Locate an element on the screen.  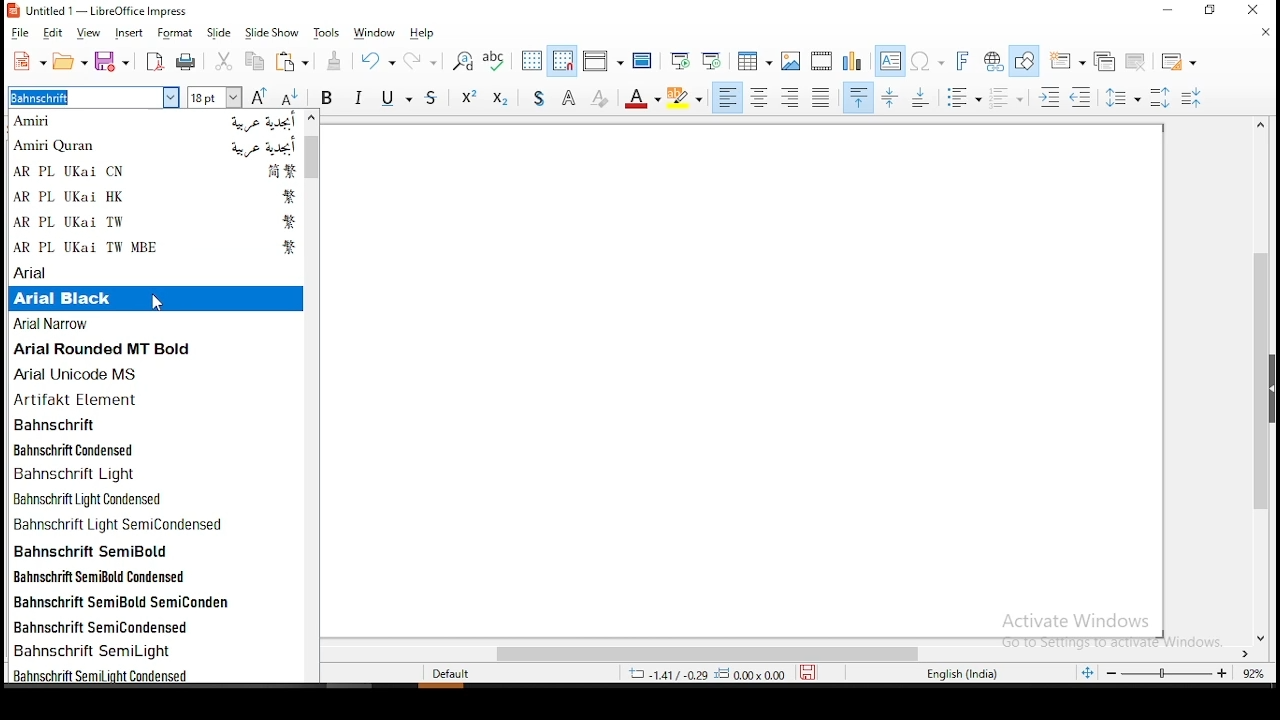
file is located at coordinates (23, 33).